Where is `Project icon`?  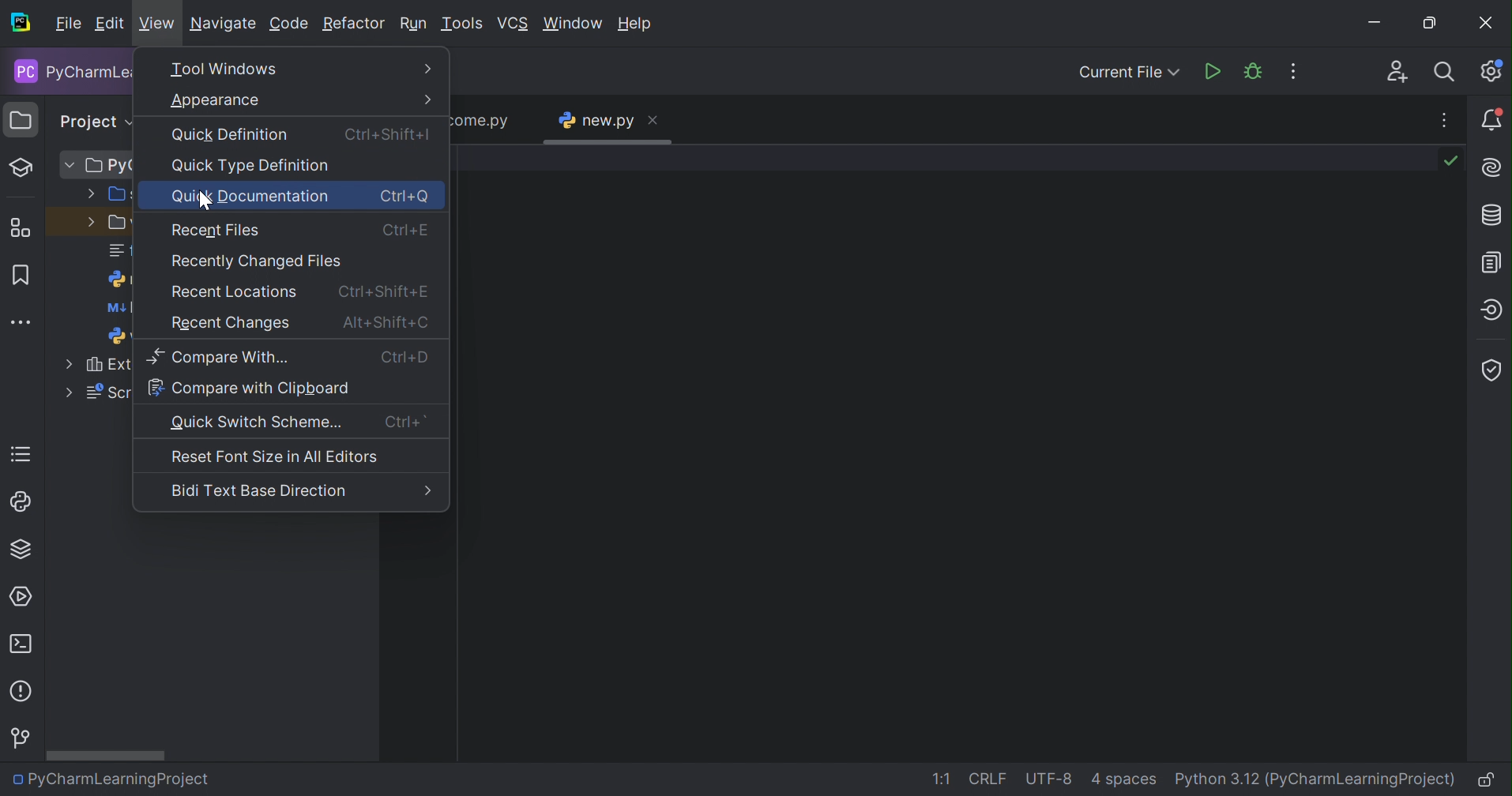 Project icon is located at coordinates (17, 121).